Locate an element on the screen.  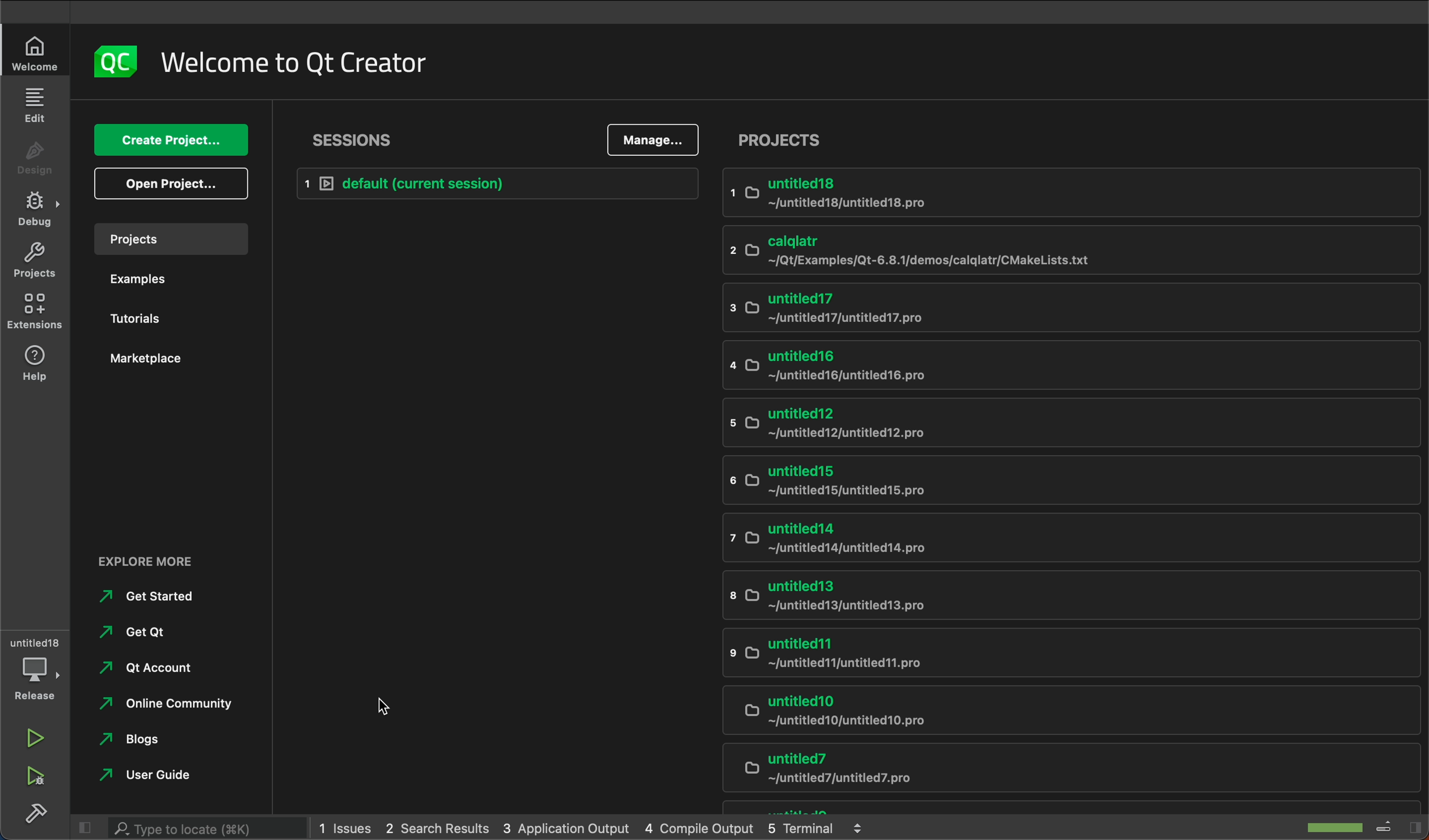
run is located at coordinates (32, 737).